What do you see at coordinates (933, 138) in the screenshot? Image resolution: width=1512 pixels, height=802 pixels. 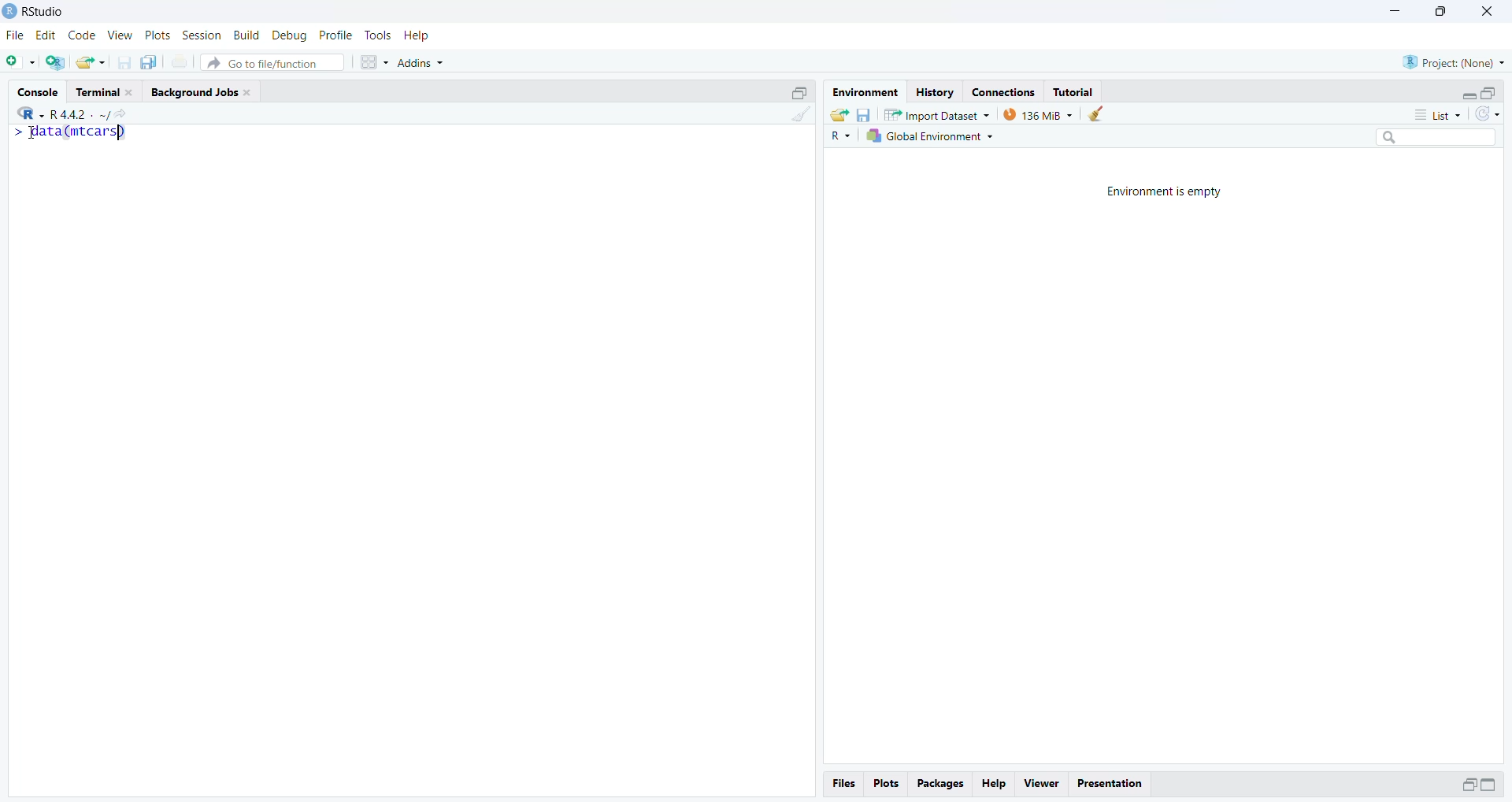 I see `Global Environment` at bounding box center [933, 138].